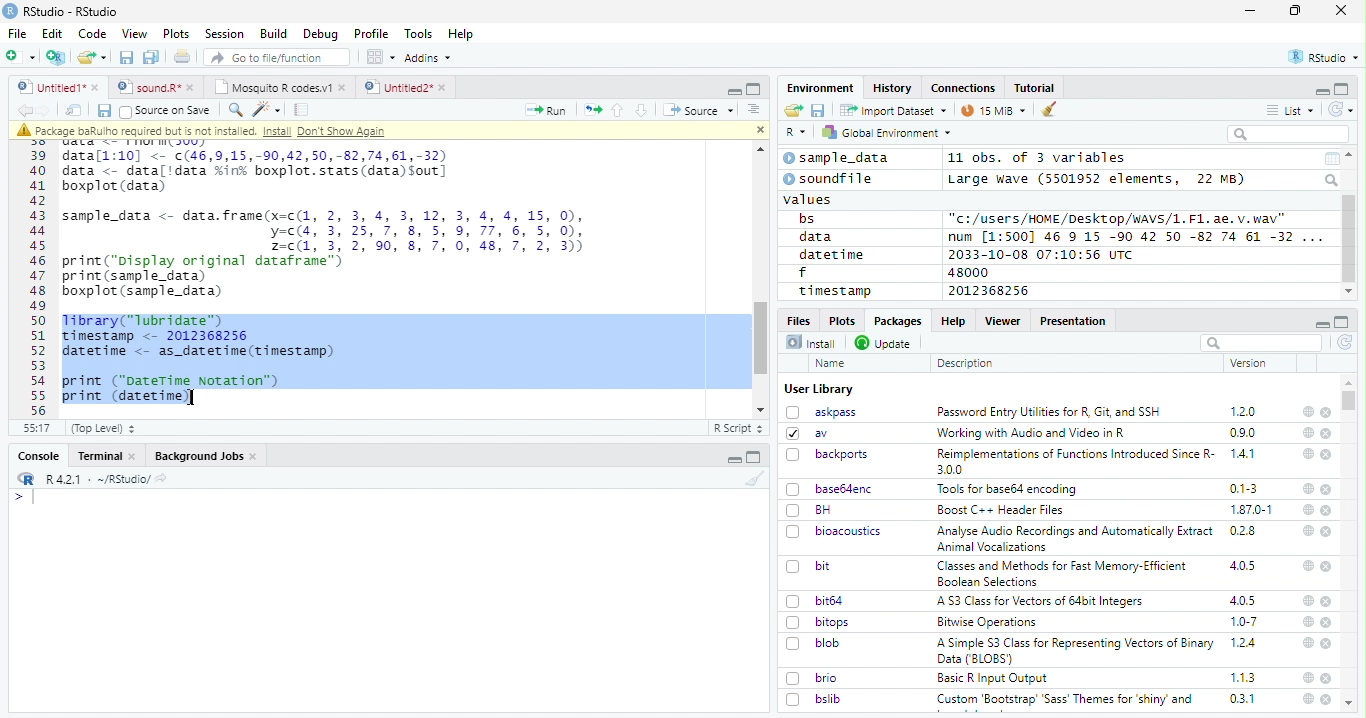  What do you see at coordinates (1326, 699) in the screenshot?
I see `close` at bounding box center [1326, 699].